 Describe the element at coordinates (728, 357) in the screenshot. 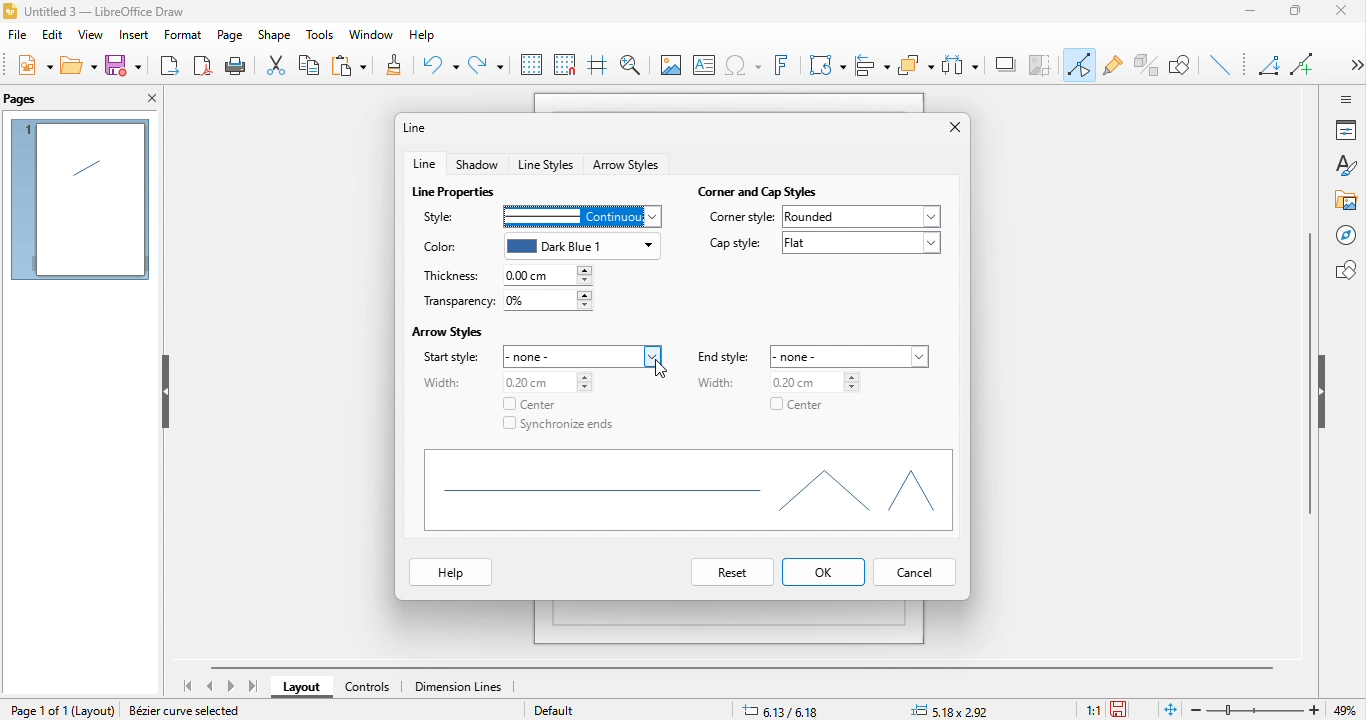

I see `end style` at that location.